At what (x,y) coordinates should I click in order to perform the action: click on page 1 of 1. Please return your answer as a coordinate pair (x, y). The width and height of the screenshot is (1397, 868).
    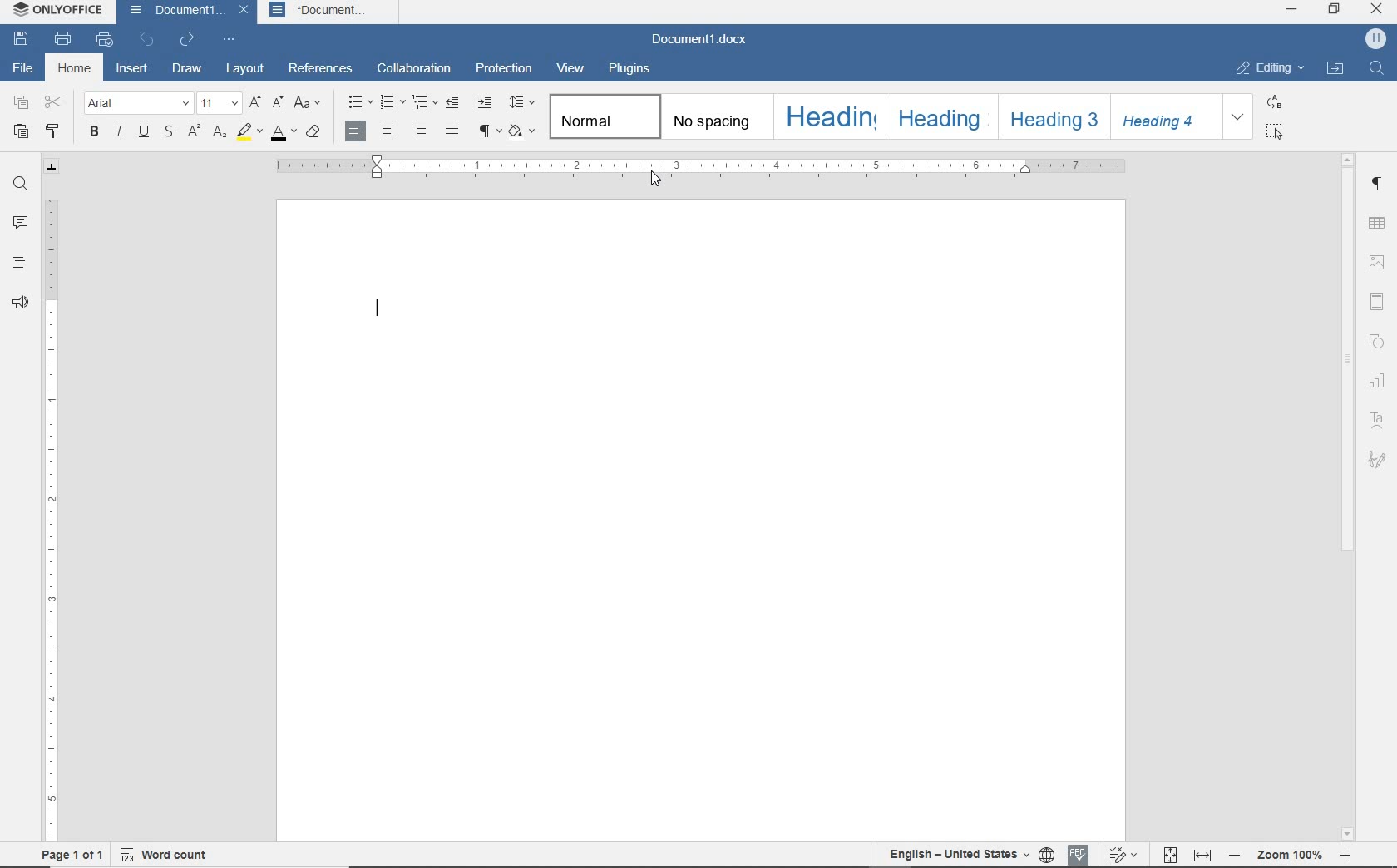
    Looking at the image, I should click on (70, 855).